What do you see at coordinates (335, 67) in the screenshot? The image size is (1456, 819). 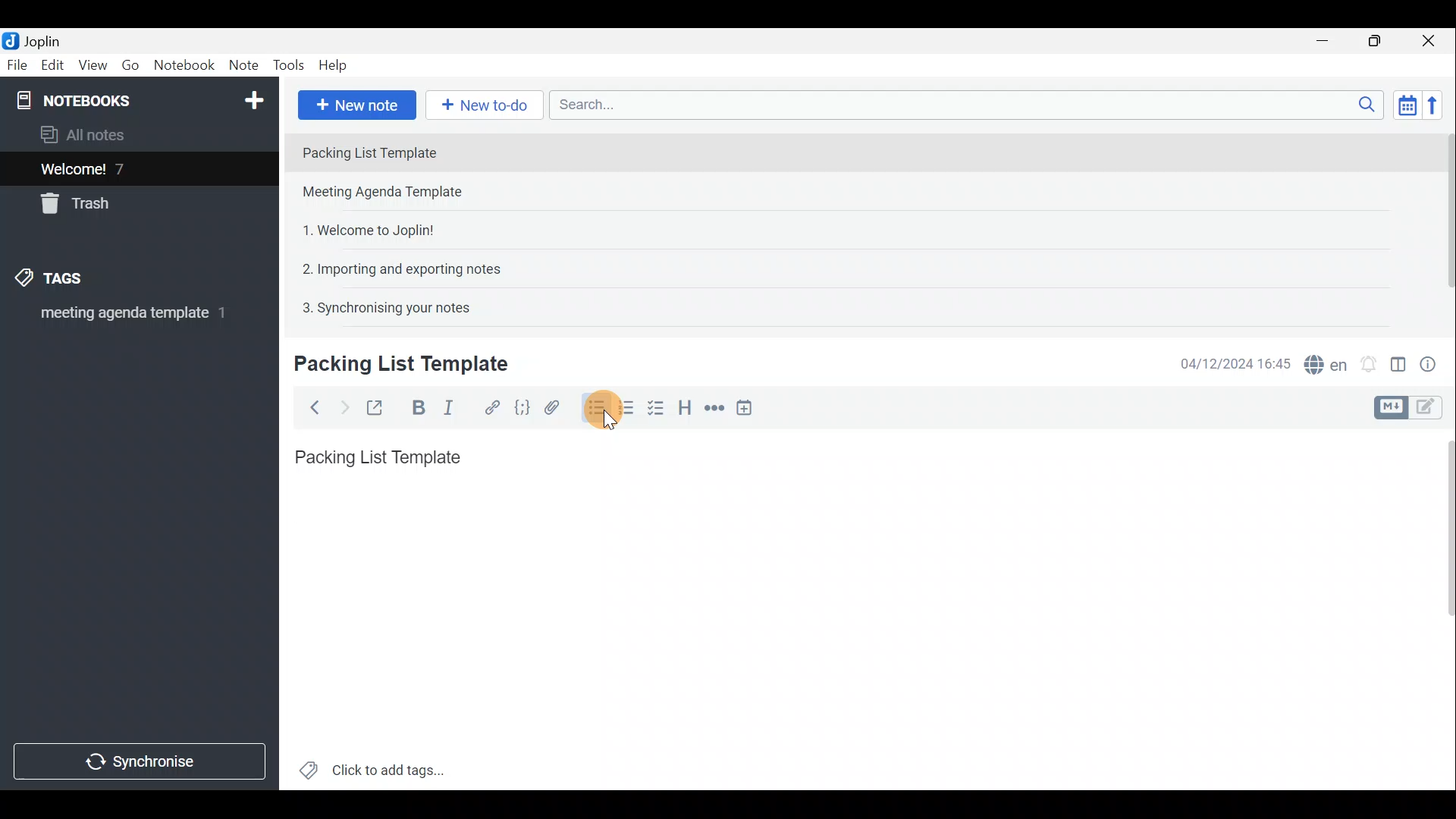 I see `Help` at bounding box center [335, 67].